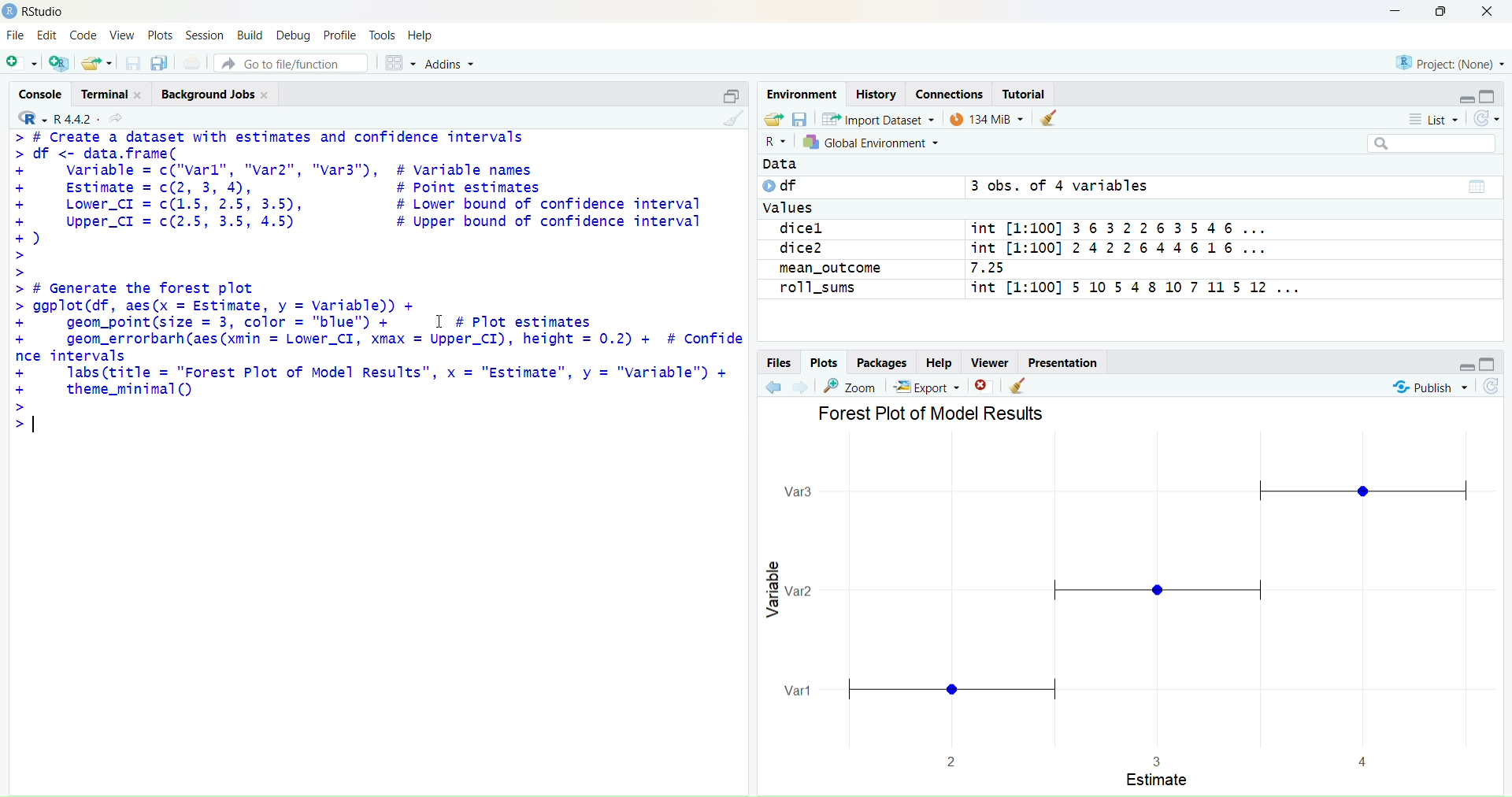 Image resolution: width=1512 pixels, height=797 pixels. Describe the element at coordinates (399, 64) in the screenshot. I see `workspace panes` at that location.